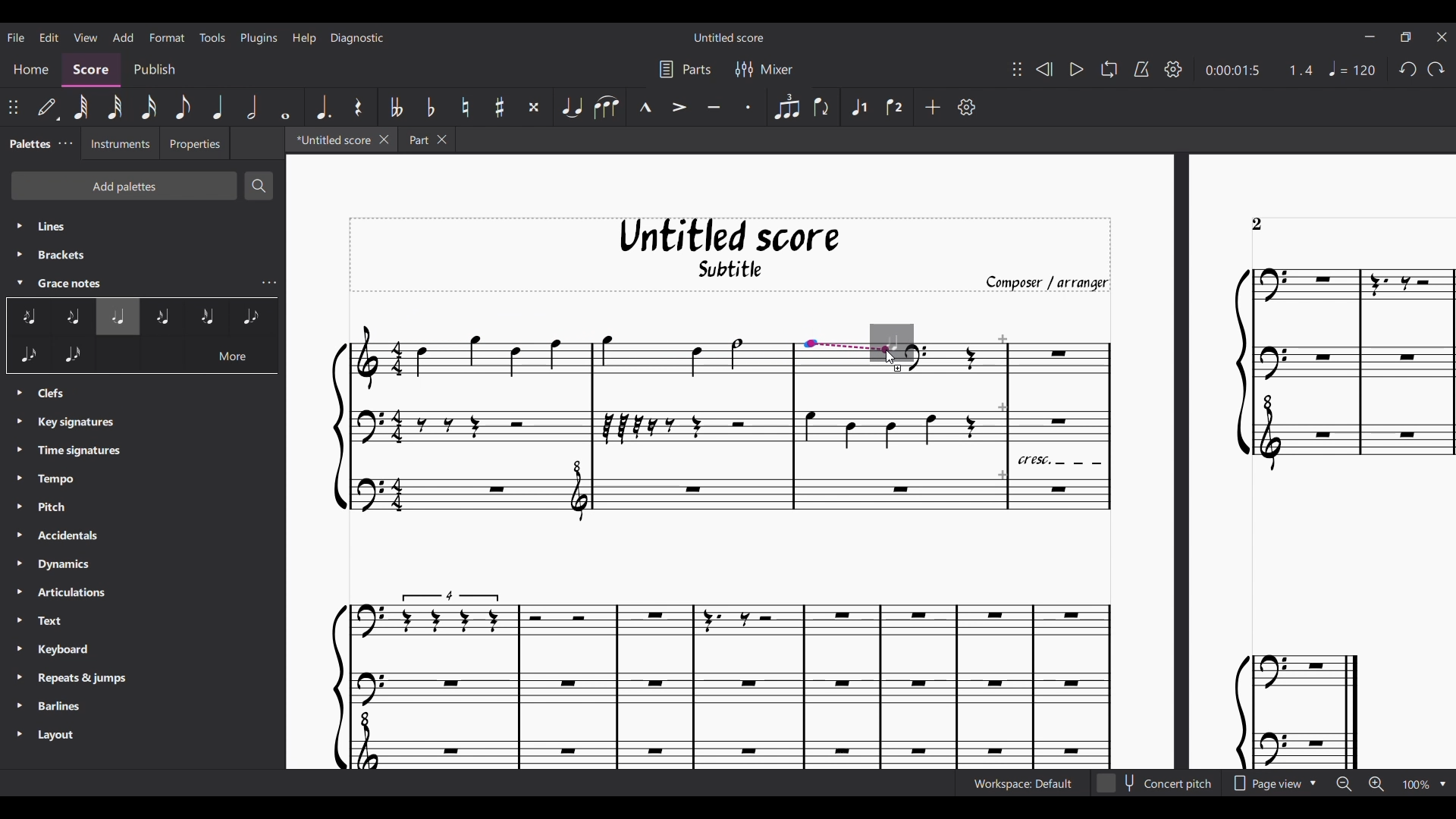 This screenshot has height=819, width=1456. Describe the element at coordinates (1442, 37) in the screenshot. I see `Close interface` at that location.